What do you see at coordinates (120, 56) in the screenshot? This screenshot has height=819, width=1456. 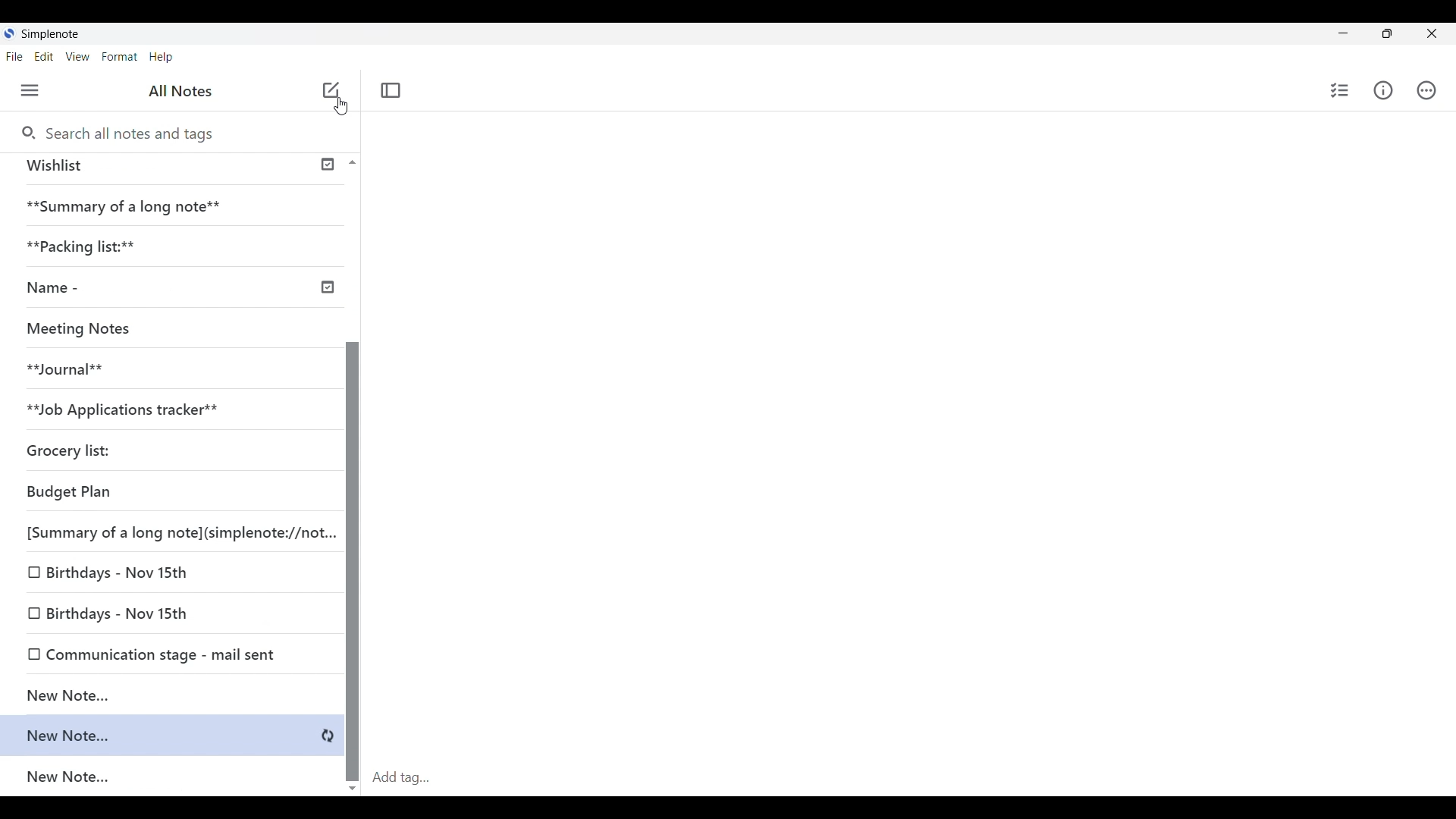 I see `Format` at bounding box center [120, 56].